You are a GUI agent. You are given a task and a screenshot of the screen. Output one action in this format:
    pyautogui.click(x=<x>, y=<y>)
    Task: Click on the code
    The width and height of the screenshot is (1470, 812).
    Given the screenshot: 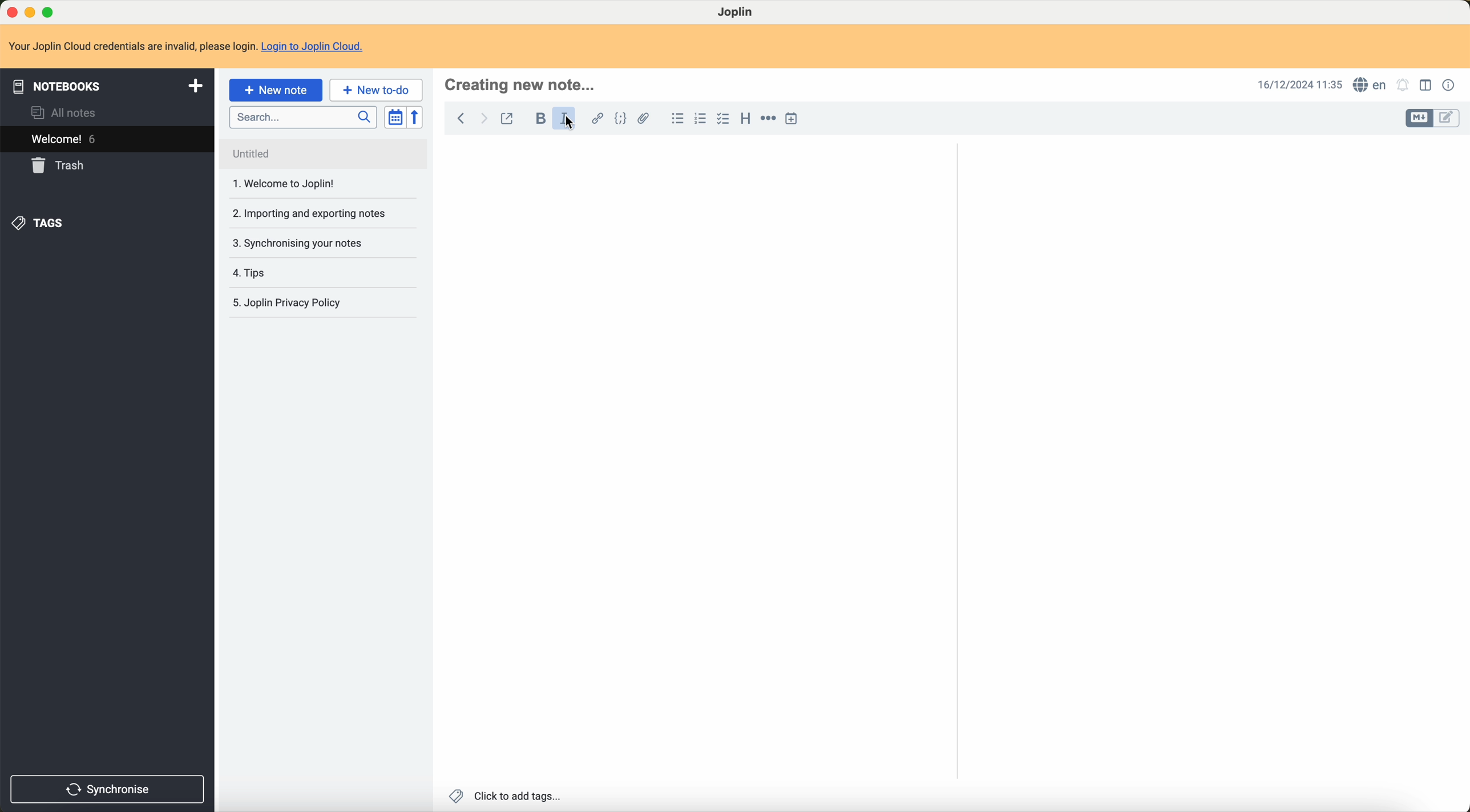 What is the action you would take?
    pyautogui.click(x=618, y=118)
    